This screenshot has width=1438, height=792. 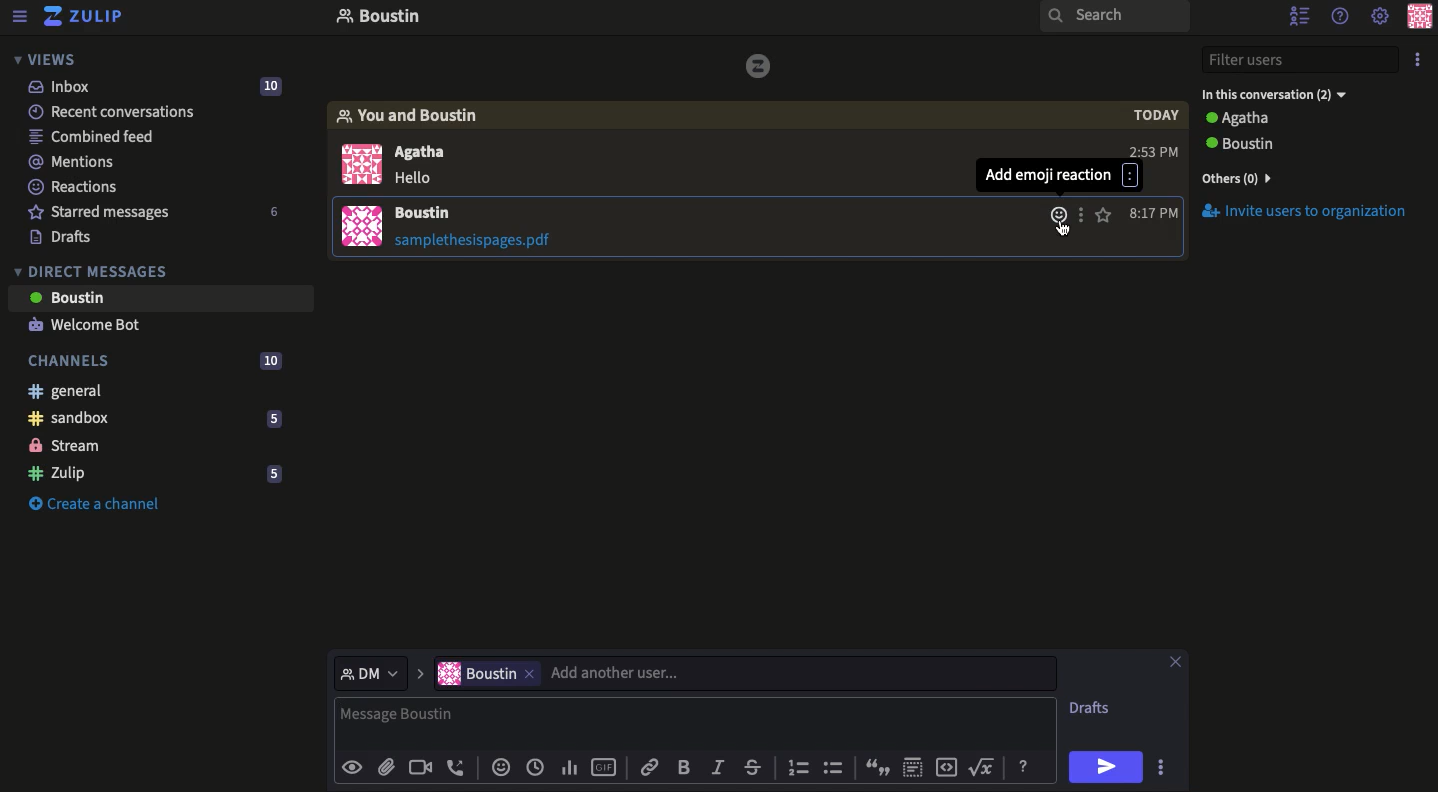 I want to click on today, so click(x=1154, y=115).